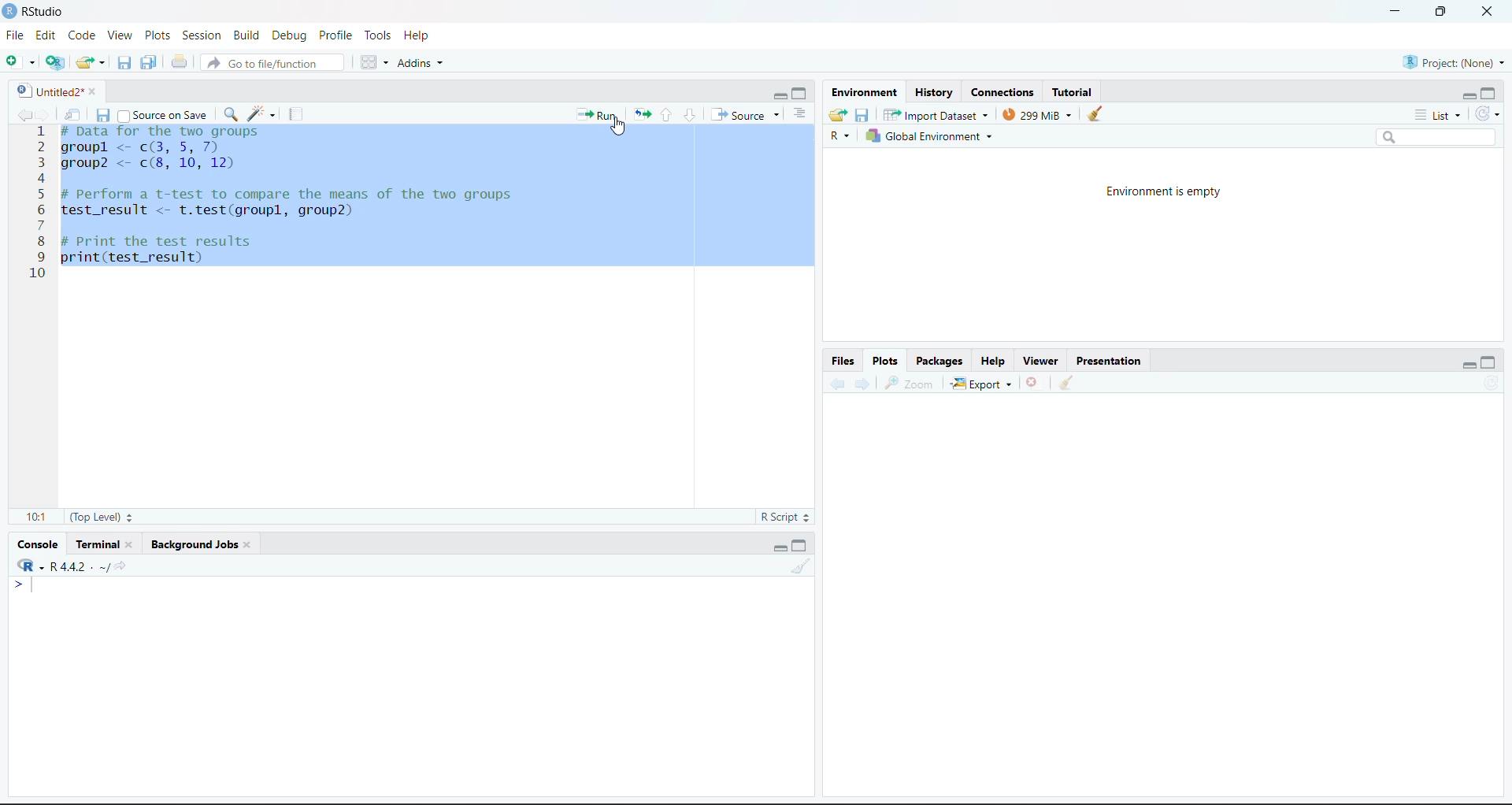  I want to click on History, so click(935, 92).